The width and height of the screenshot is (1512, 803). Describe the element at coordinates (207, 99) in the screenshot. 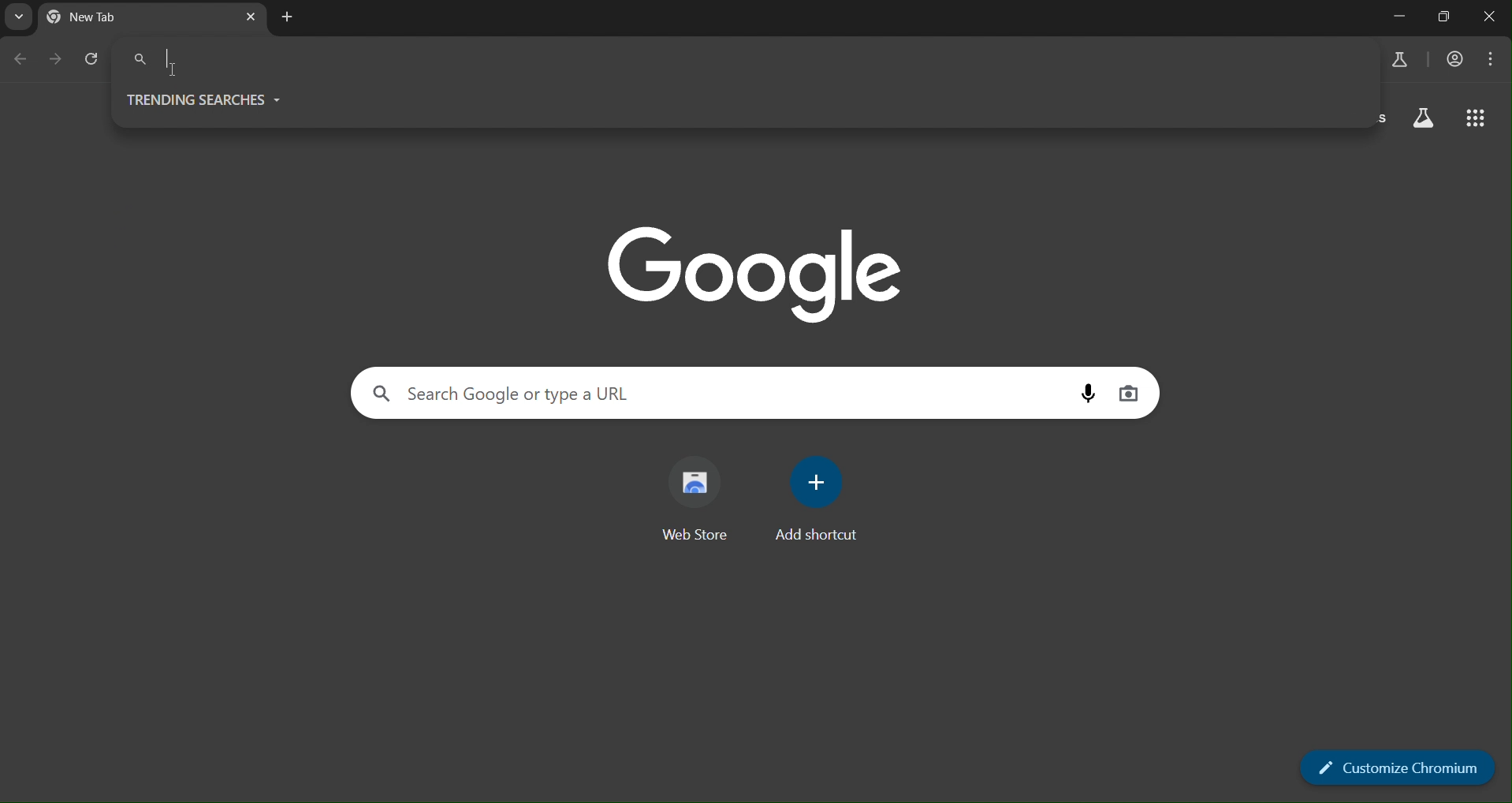

I see `trendingsearches` at that location.